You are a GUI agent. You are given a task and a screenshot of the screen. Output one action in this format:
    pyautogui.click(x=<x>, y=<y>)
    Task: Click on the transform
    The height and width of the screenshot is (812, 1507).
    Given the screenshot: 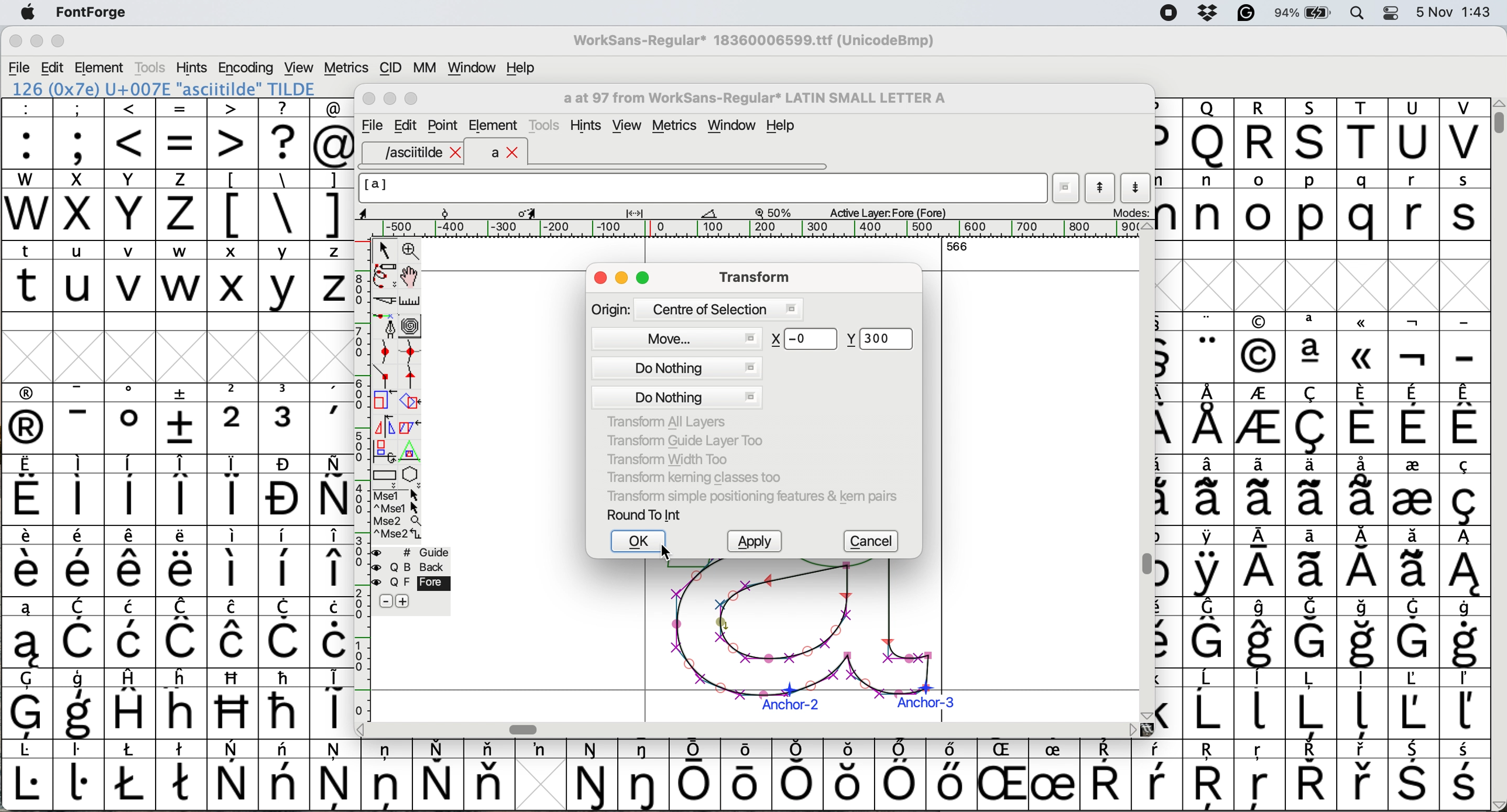 What is the action you would take?
    pyautogui.click(x=751, y=276)
    